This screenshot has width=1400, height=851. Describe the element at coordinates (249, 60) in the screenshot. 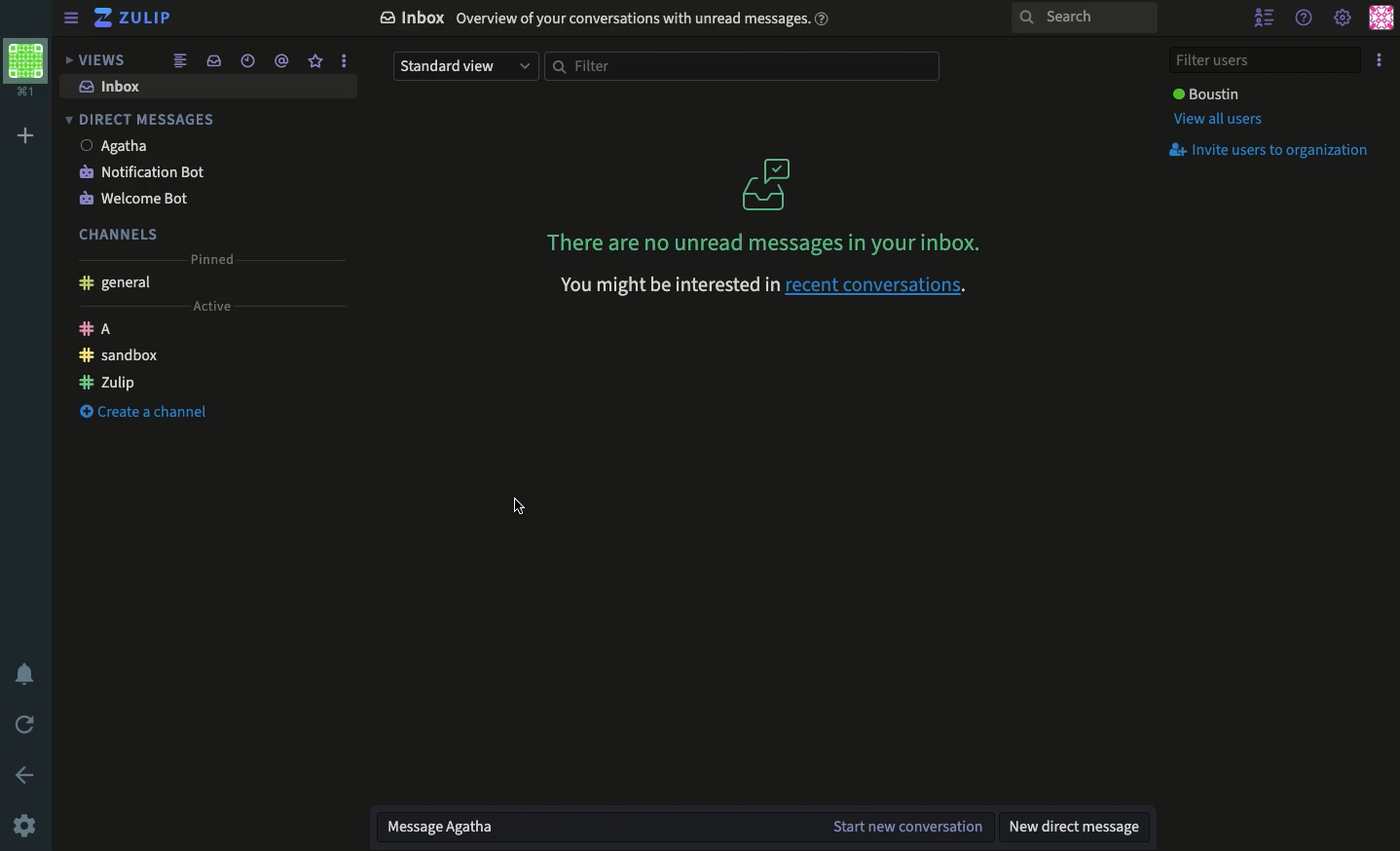

I see `Time` at that location.